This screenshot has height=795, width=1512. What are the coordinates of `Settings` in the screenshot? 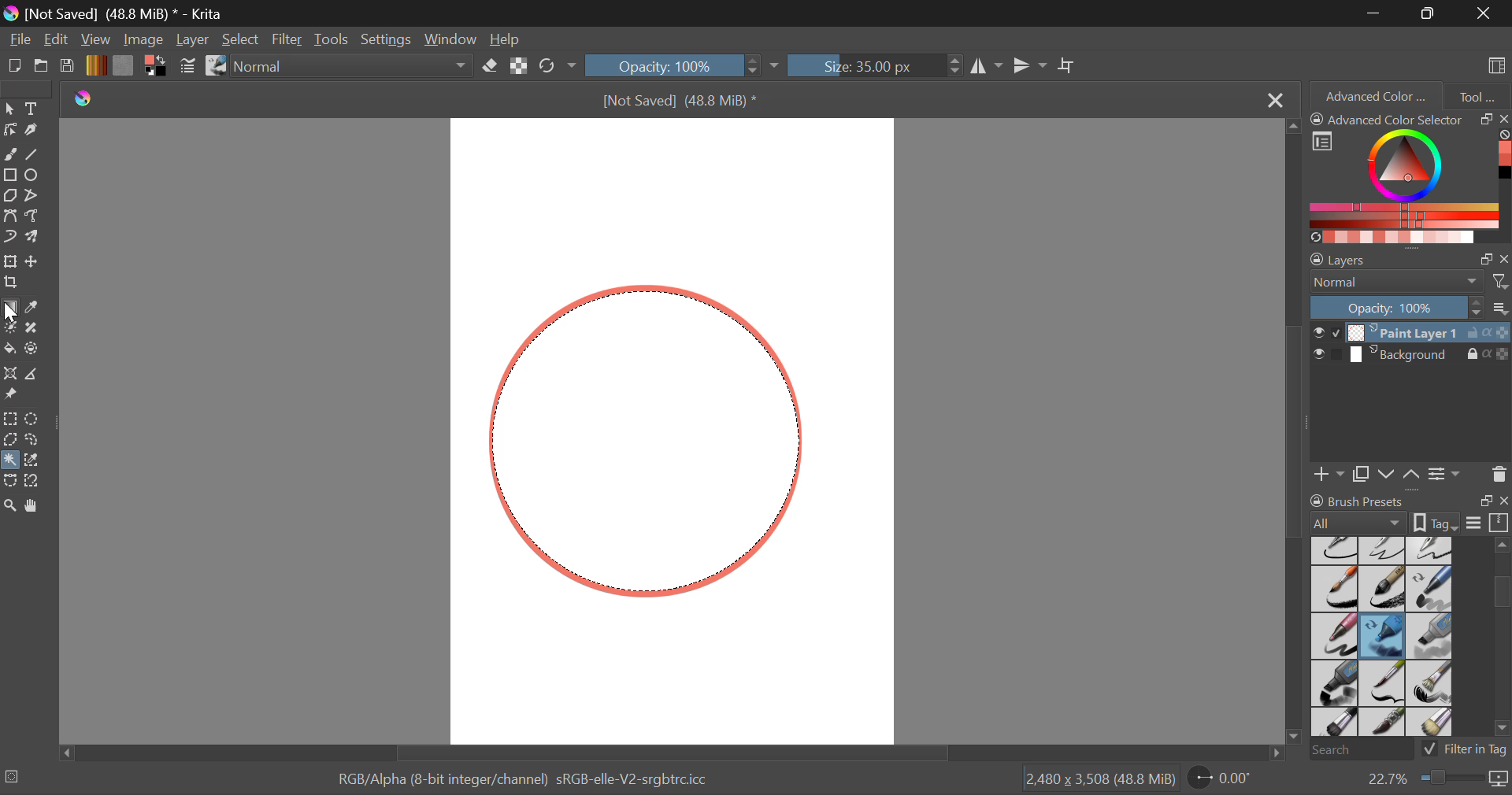 It's located at (1444, 473).